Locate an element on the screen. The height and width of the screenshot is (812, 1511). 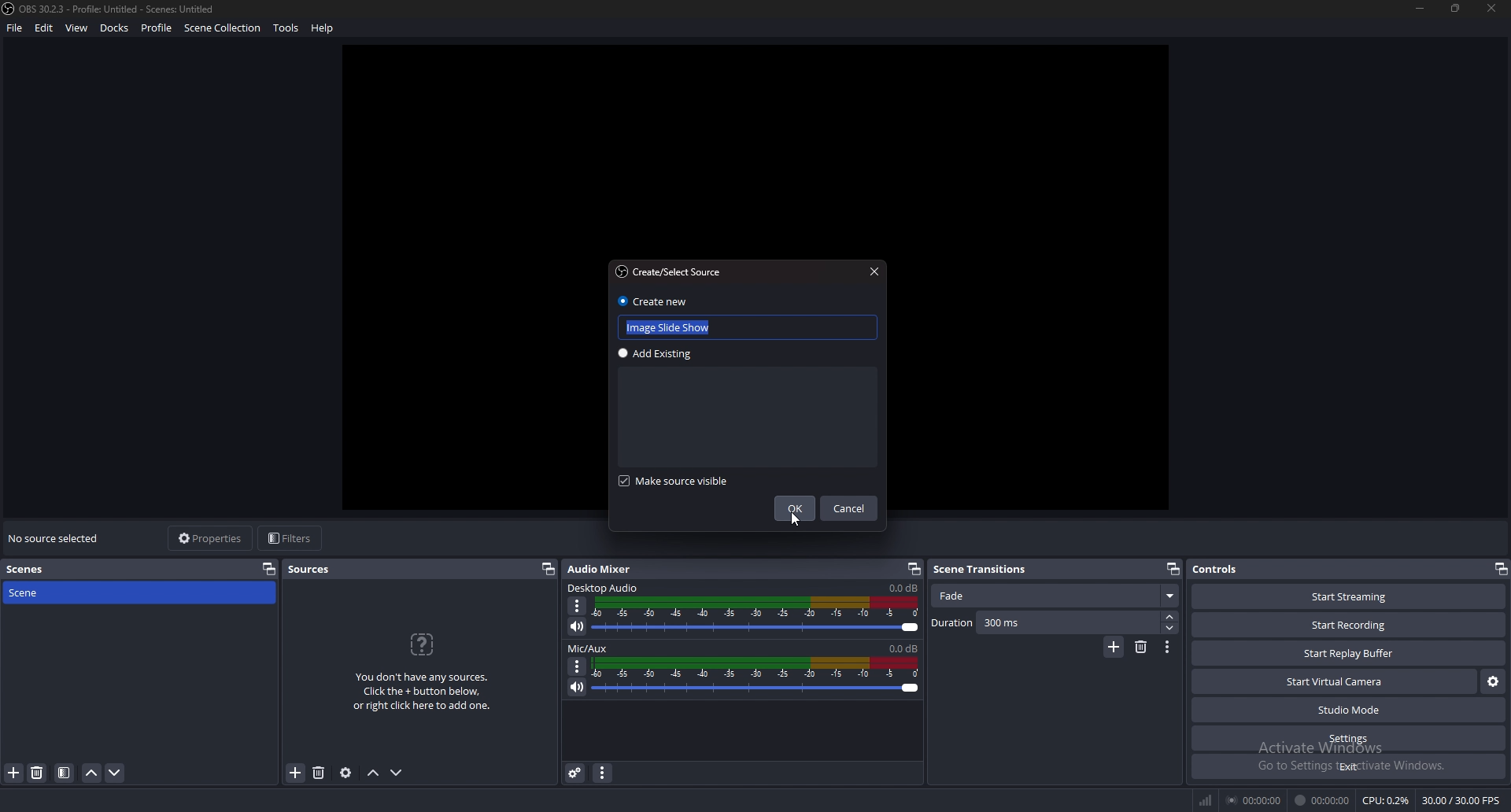
make source visible is located at coordinates (678, 480).